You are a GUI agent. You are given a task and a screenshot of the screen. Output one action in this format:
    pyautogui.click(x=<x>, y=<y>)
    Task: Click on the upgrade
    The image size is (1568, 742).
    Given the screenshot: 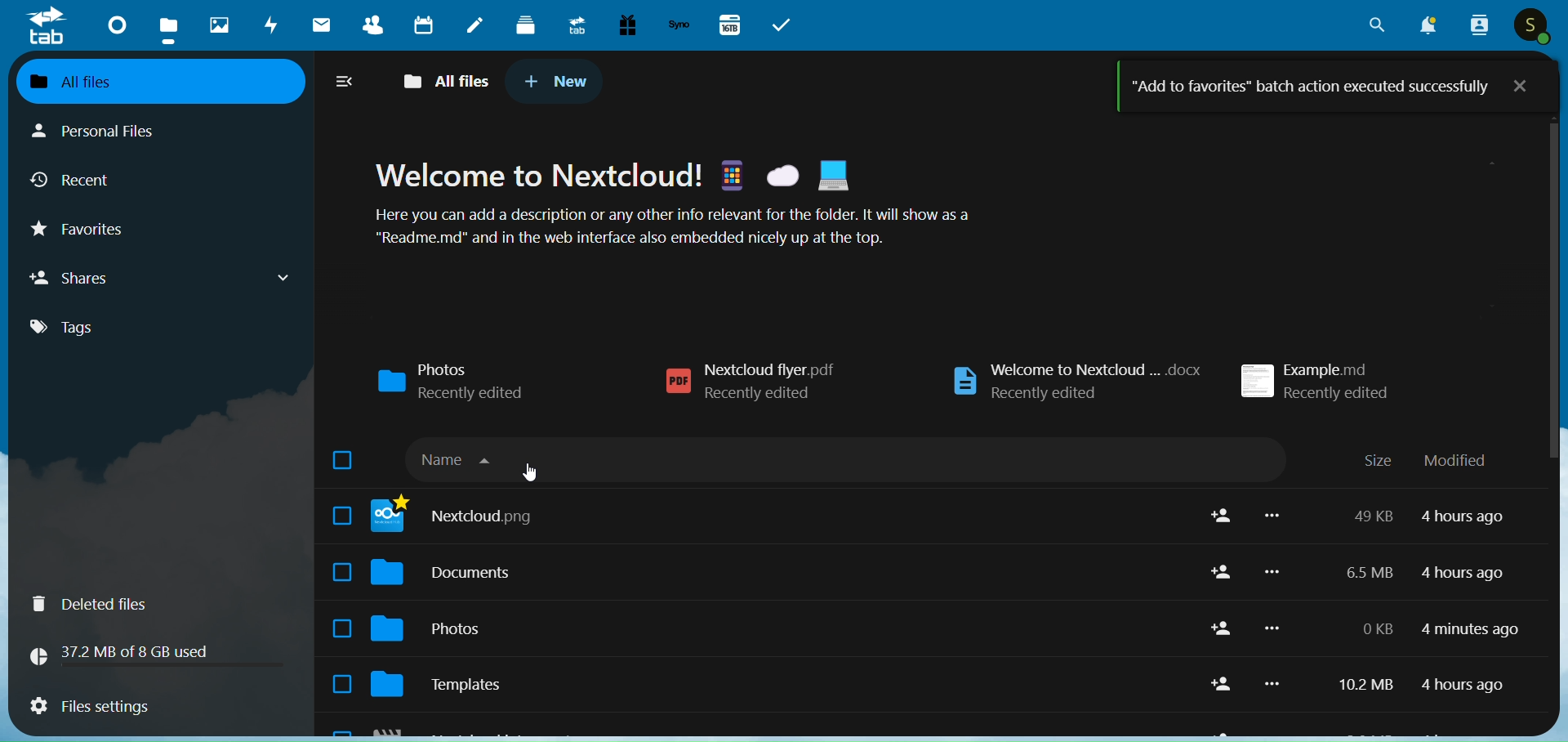 What is the action you would take?
    pyautogui.click(x=572, y=26)
    